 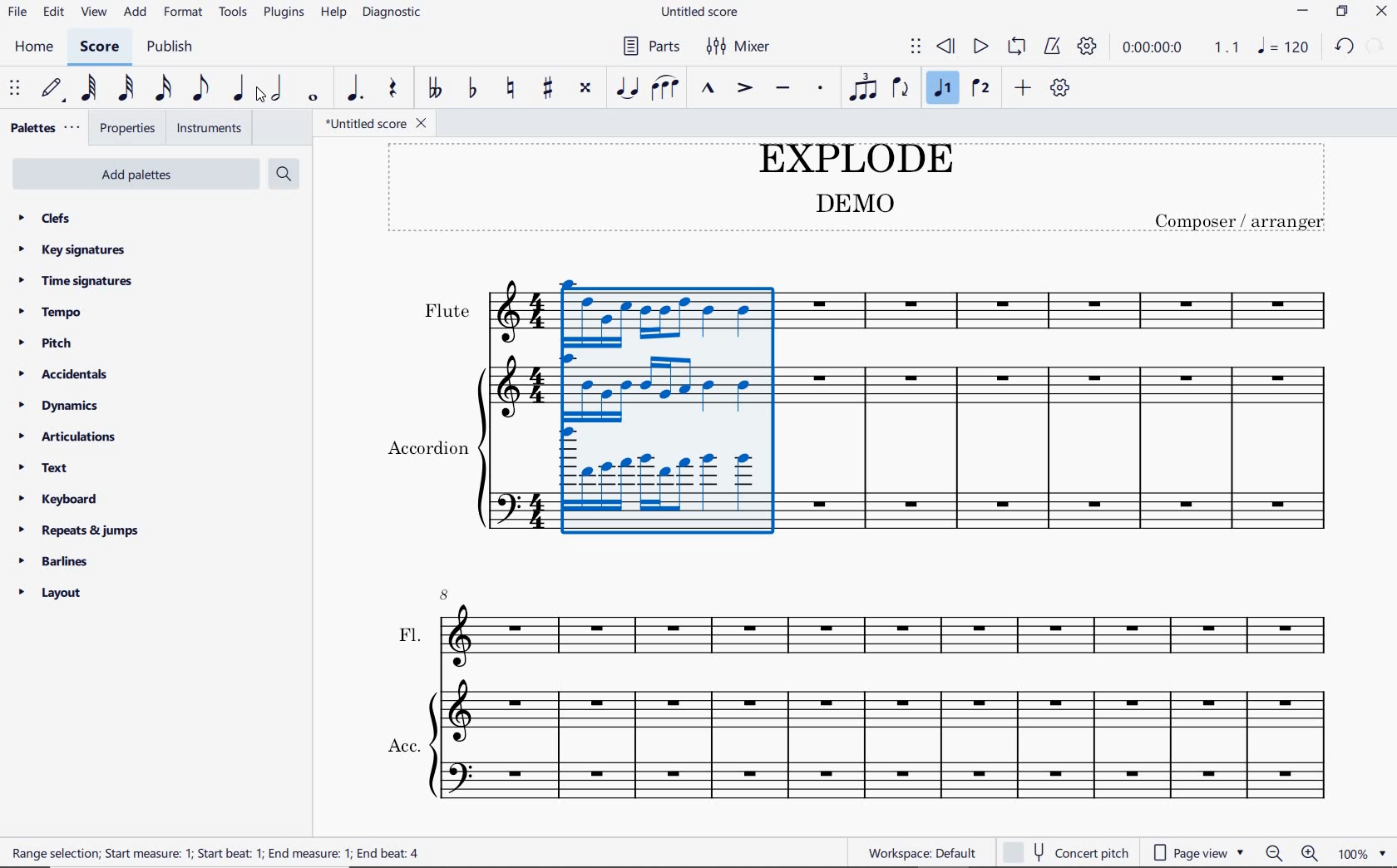 I want to click on workspace: default, so click(x=916, y=850).